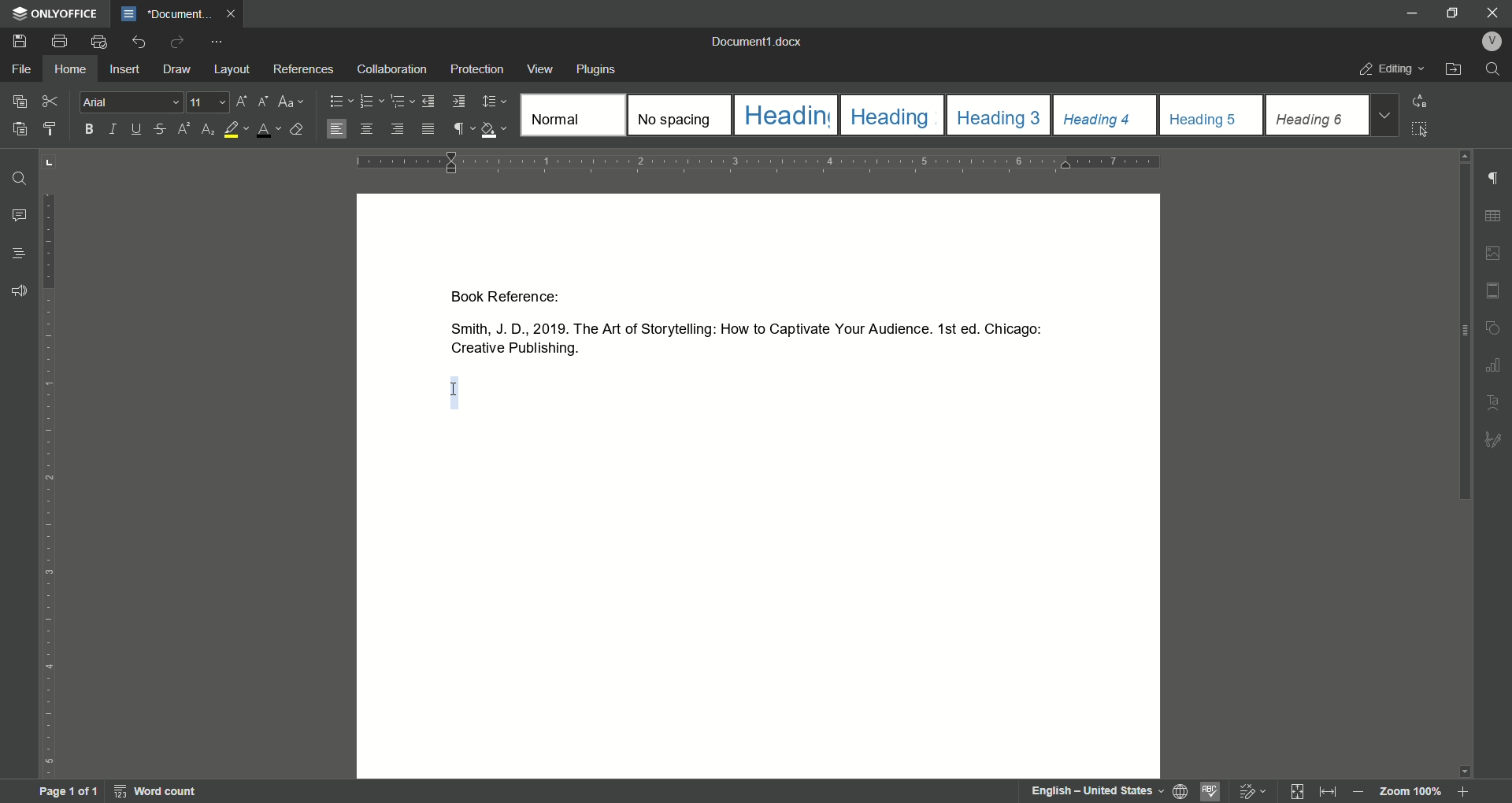  Describe the element at coordinates (493, 101) in the screenshot. I see `paragraph line spacing` at that location.